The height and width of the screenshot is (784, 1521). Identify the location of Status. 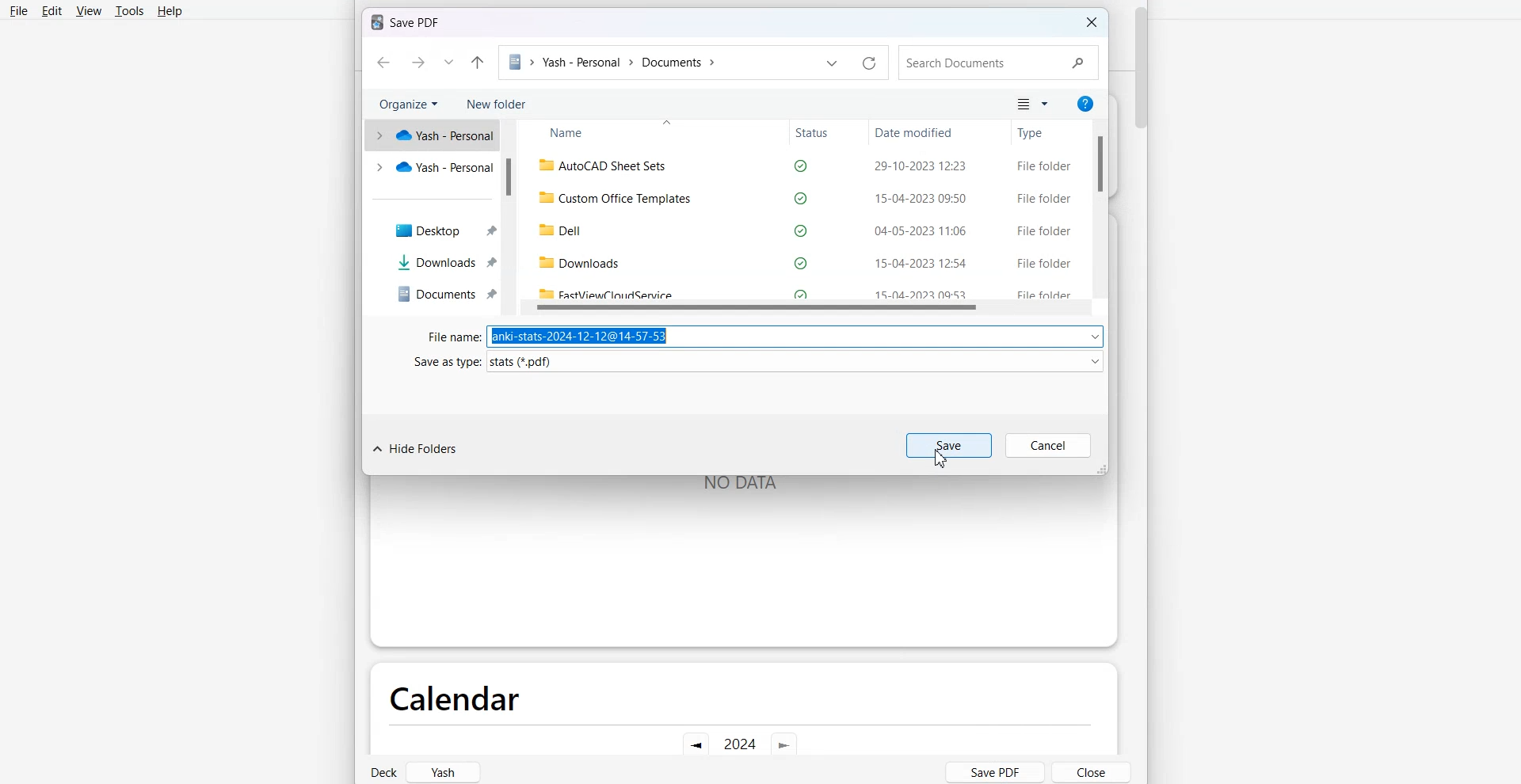
(828, 131).